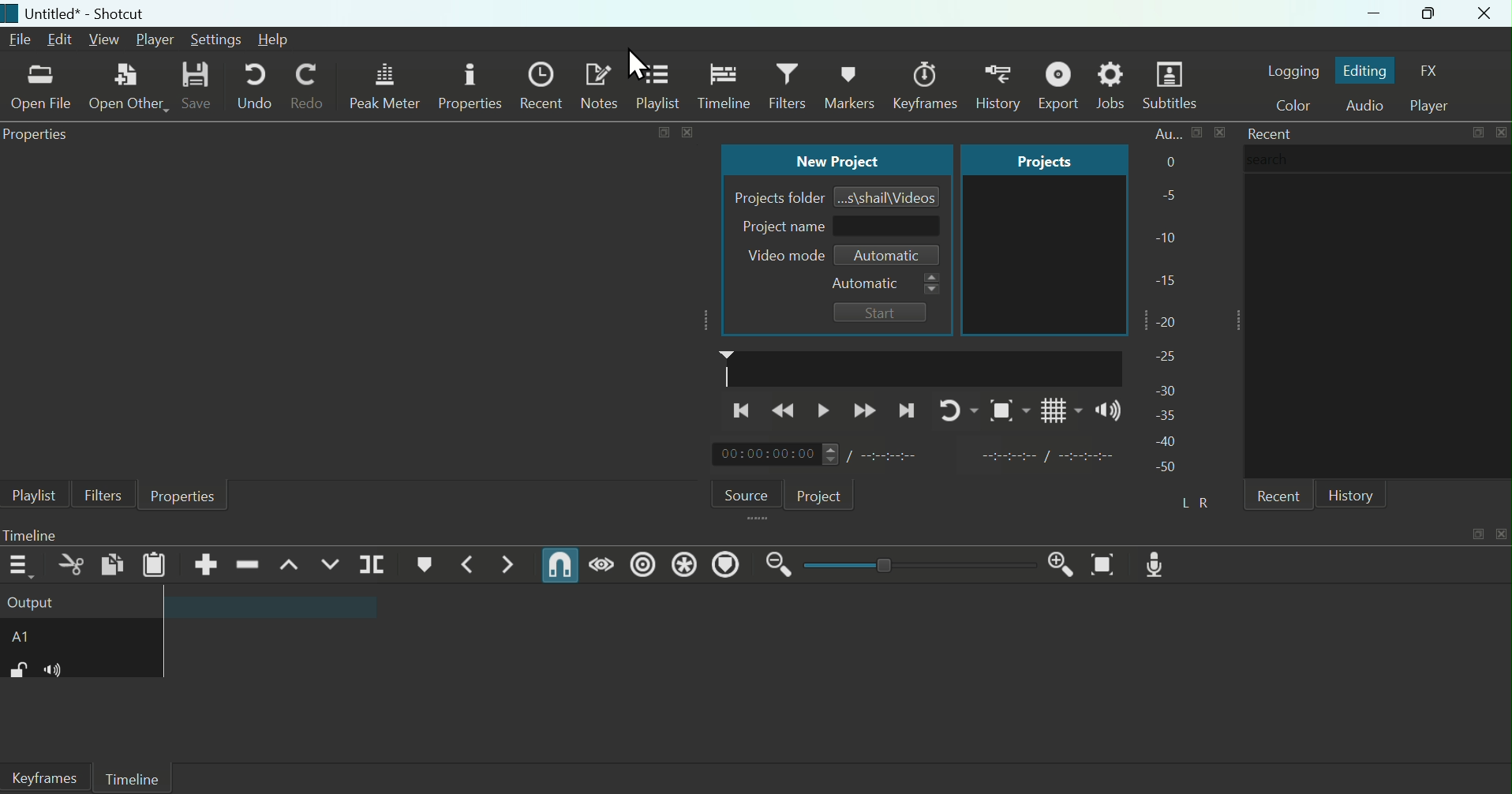  I want to click on Grid layout, so click(1060, 409).